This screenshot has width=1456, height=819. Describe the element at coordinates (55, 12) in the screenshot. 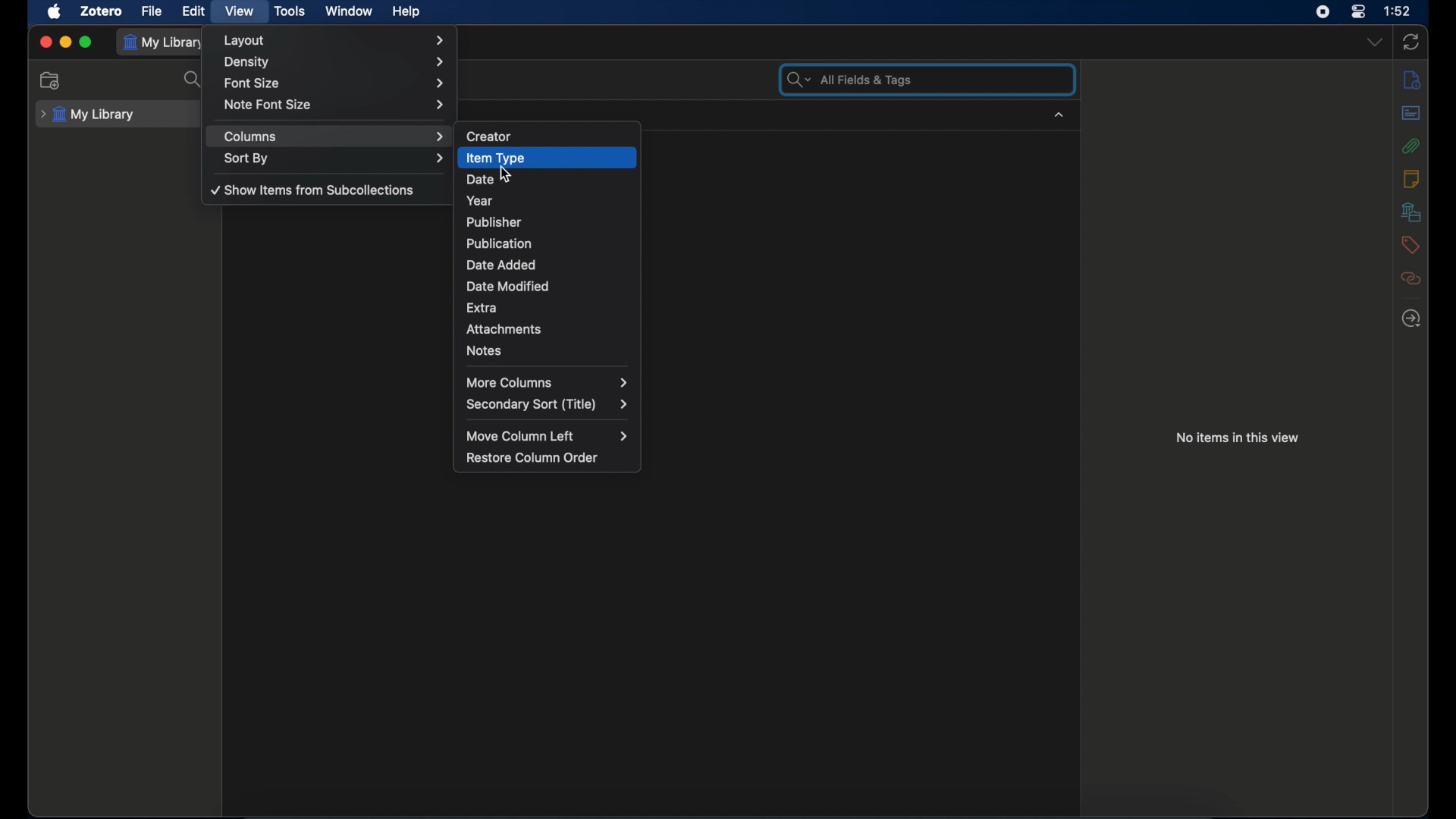

I see `apple icon` at that location.